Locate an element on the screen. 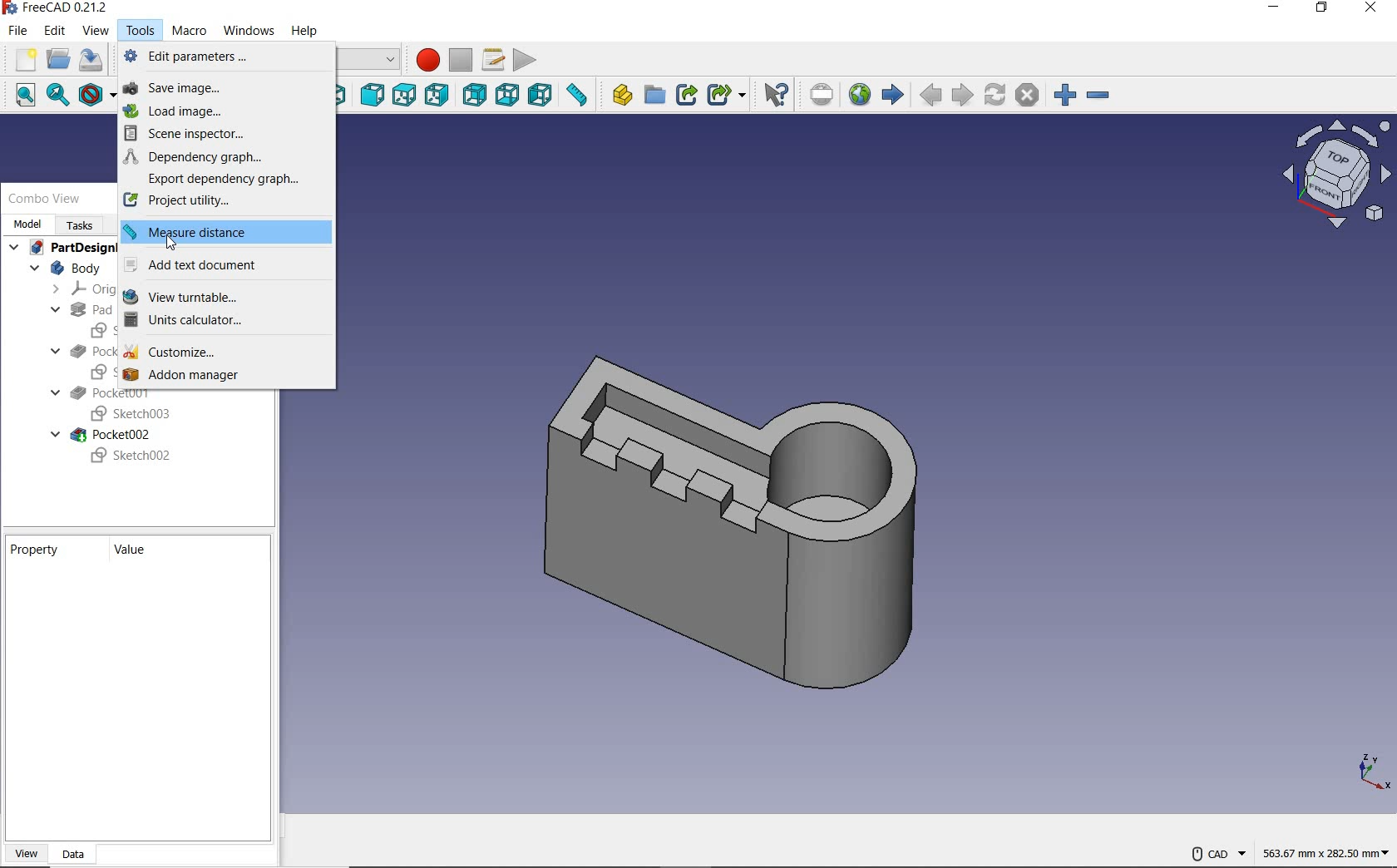  new is located at coordinates (22, 60).